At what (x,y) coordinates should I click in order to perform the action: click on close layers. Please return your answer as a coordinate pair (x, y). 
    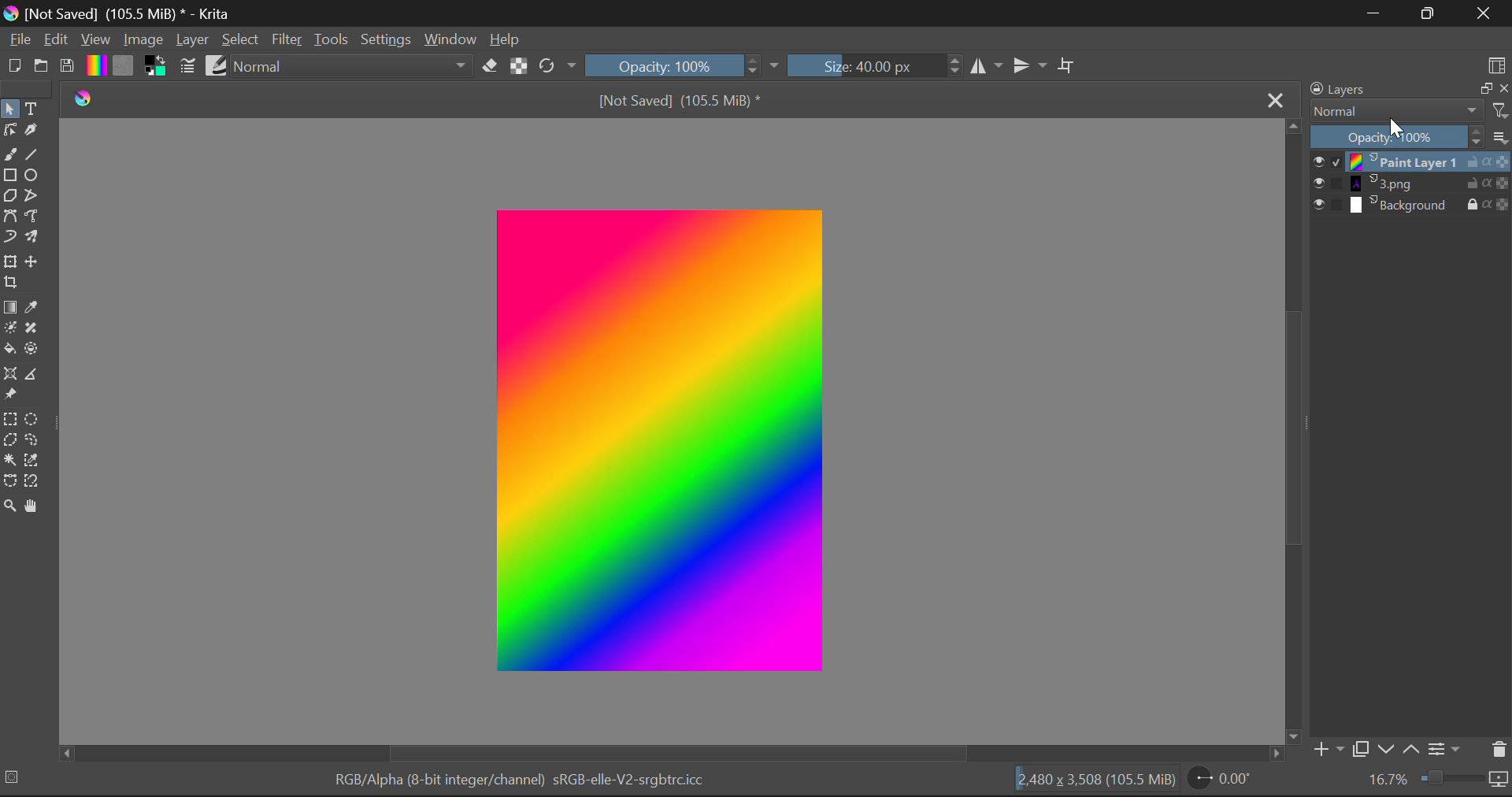
    Looking at the image, I should click on (1503, 89).